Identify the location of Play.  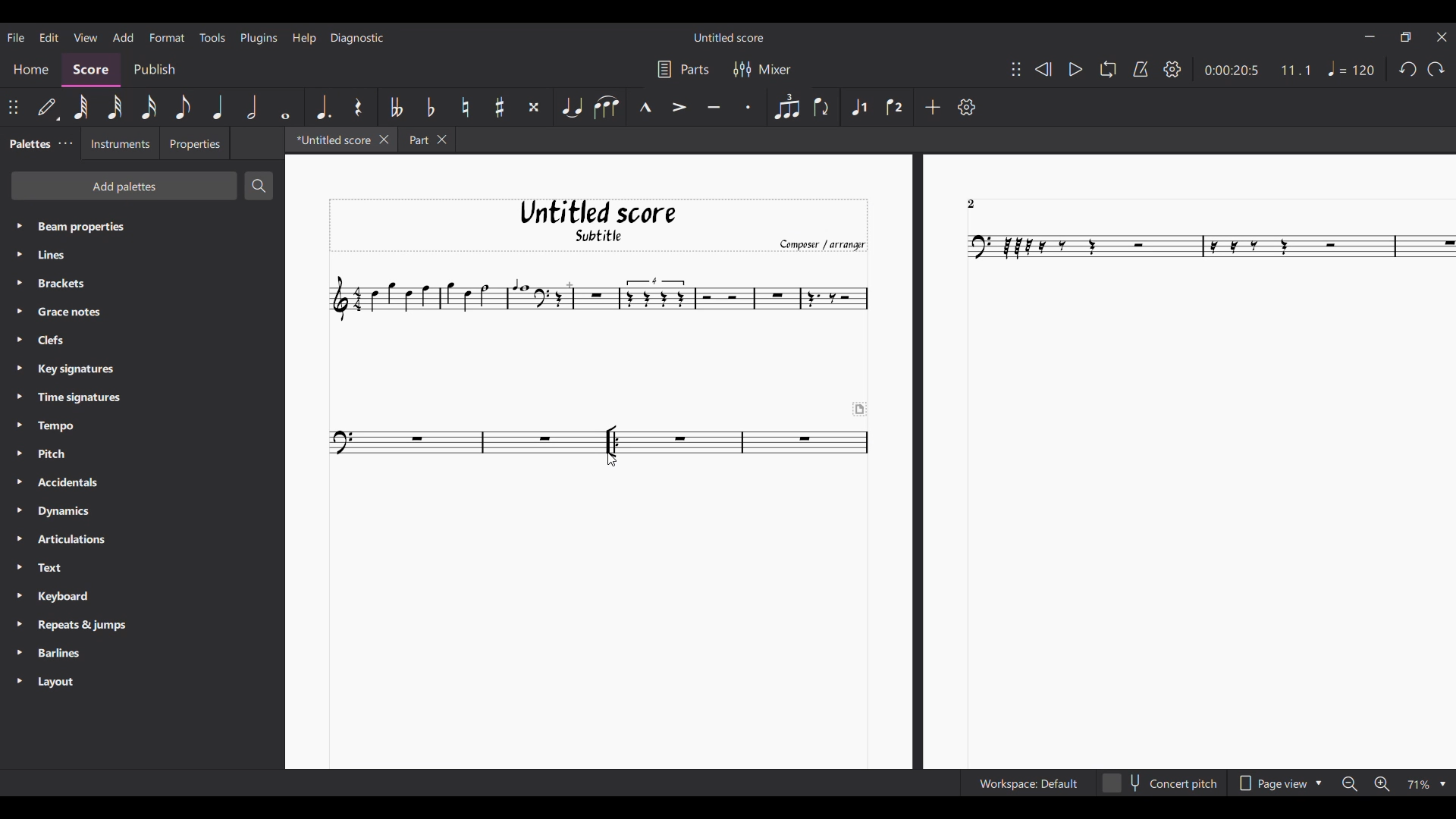
(1076, 70).